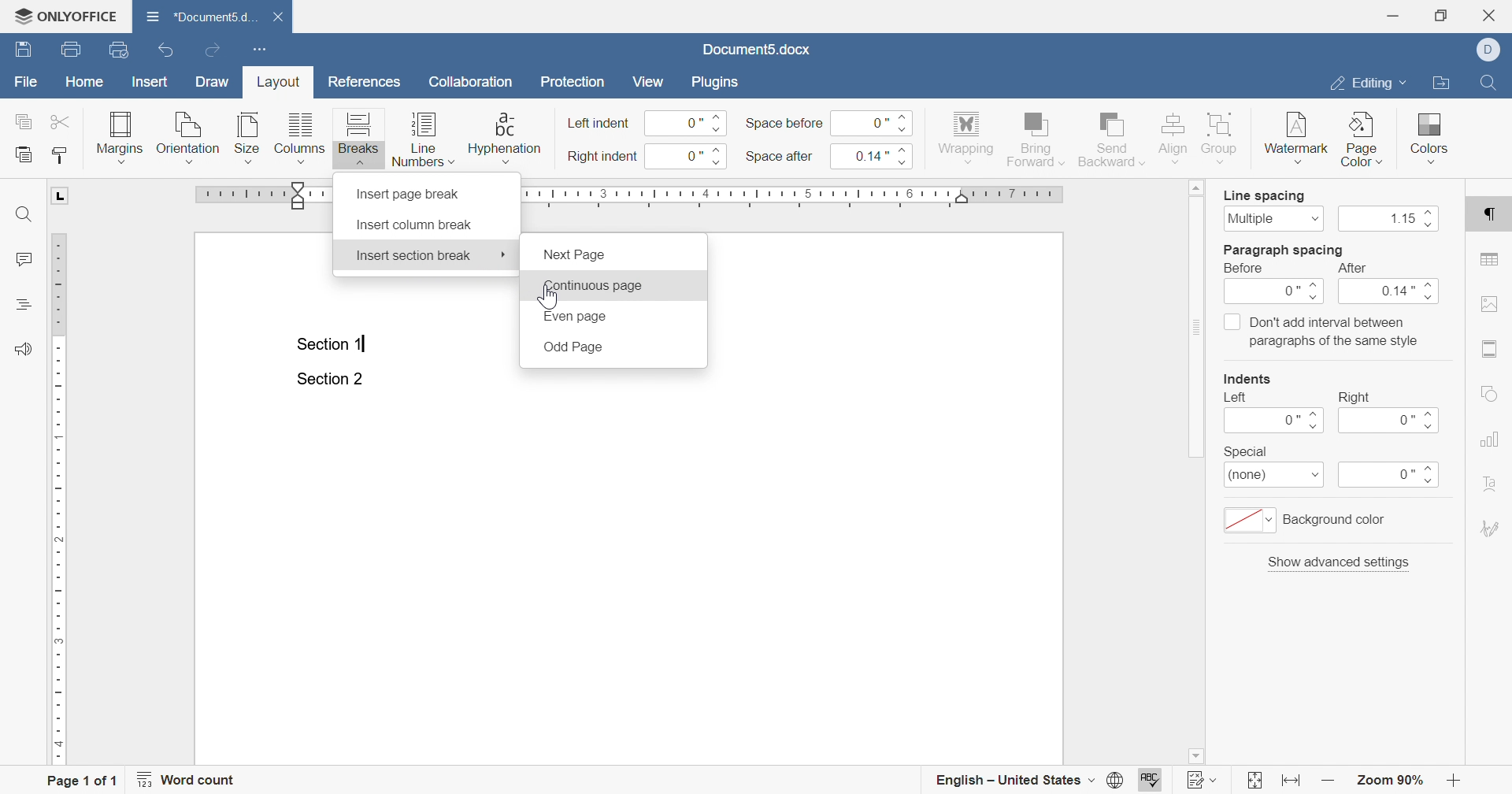 Image resolution: width=1512 pixels, height=794 pixels. I want to click on line numbers, so click(423, 139).